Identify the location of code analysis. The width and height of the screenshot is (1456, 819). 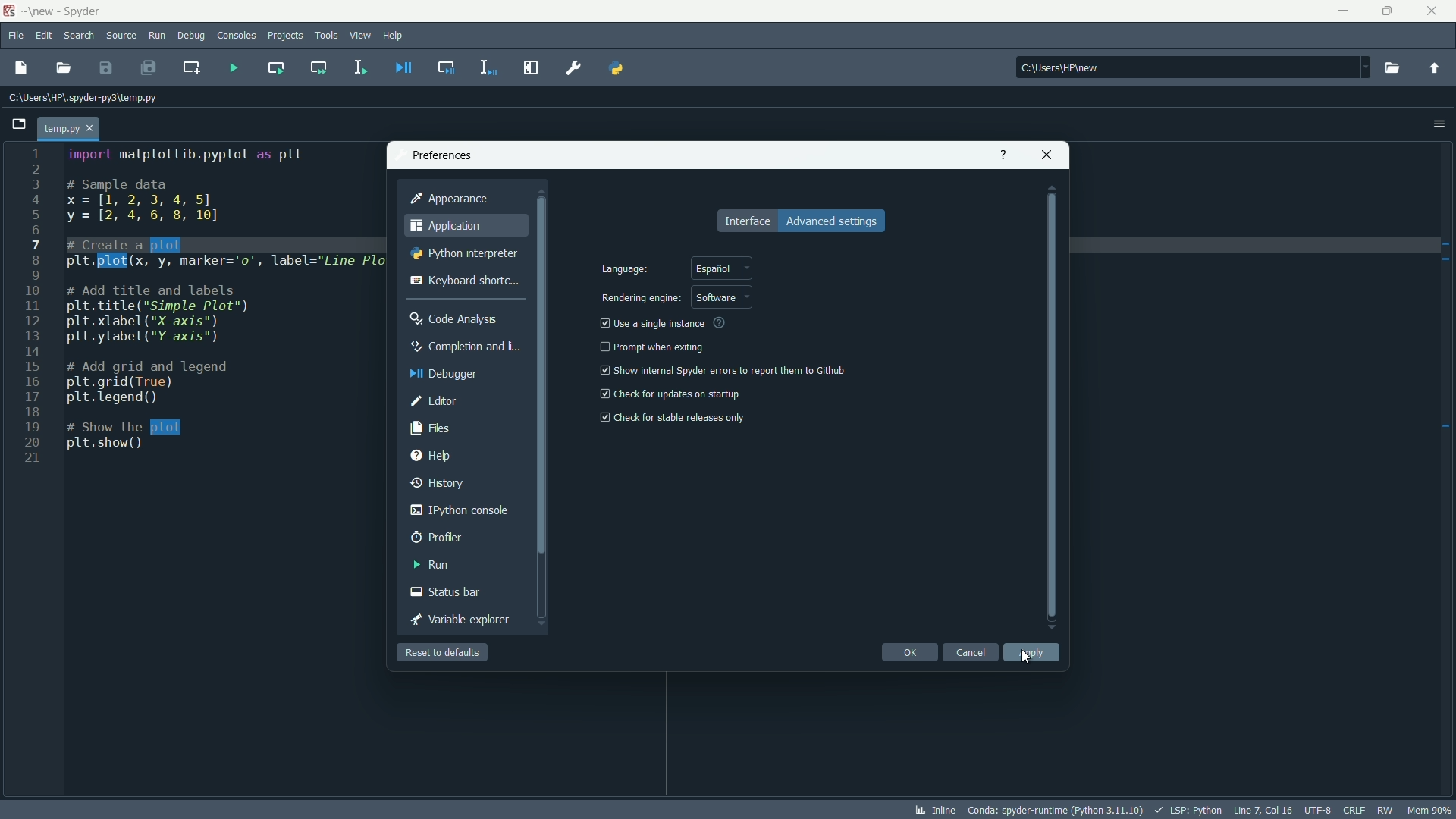
(456, 320).